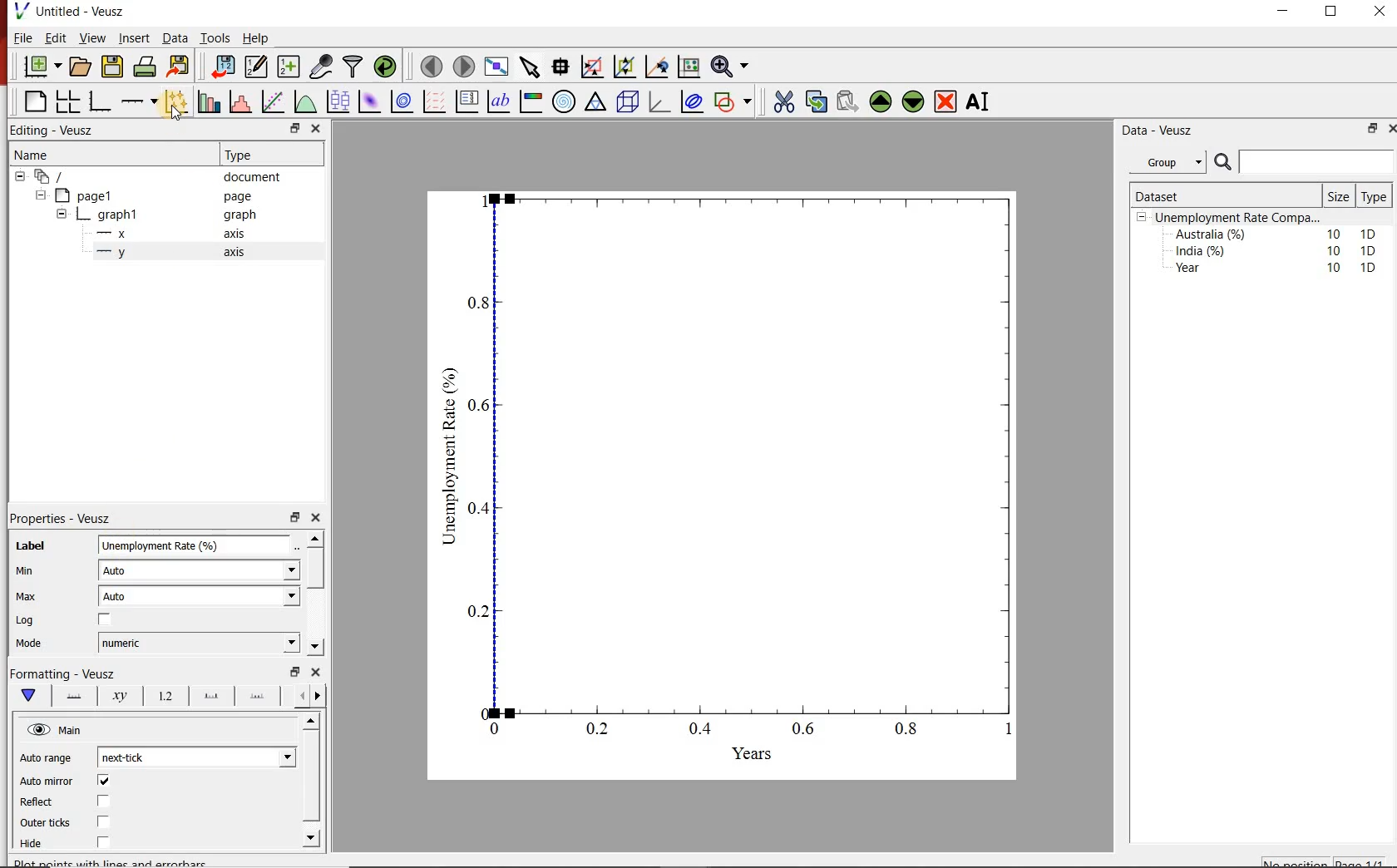 The height and width of the screenshot is (868, 1397). I want to click on move to next page, so click(465, 67).